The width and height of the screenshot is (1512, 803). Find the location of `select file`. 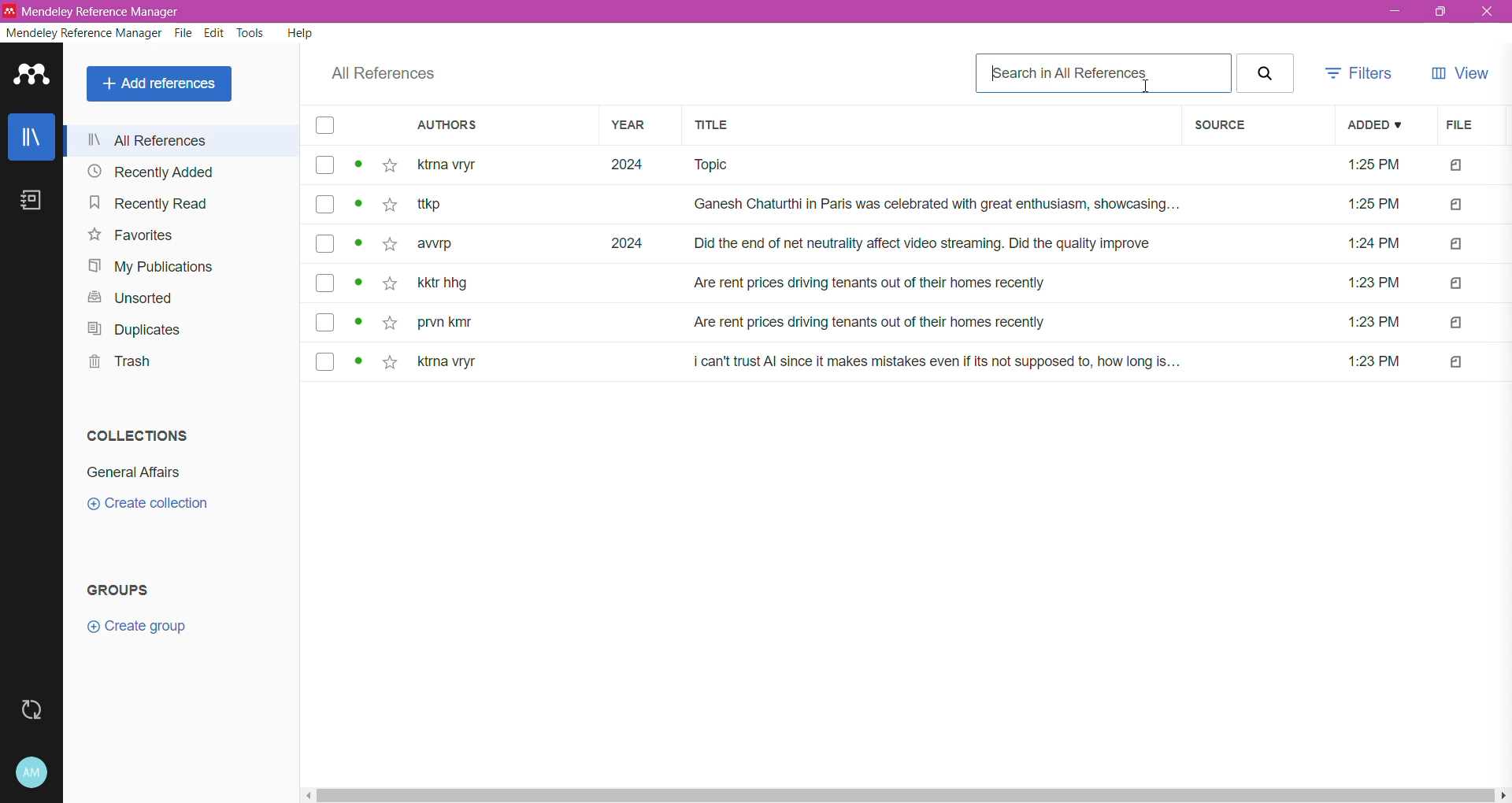

select file is located at coordinates (324, 284).